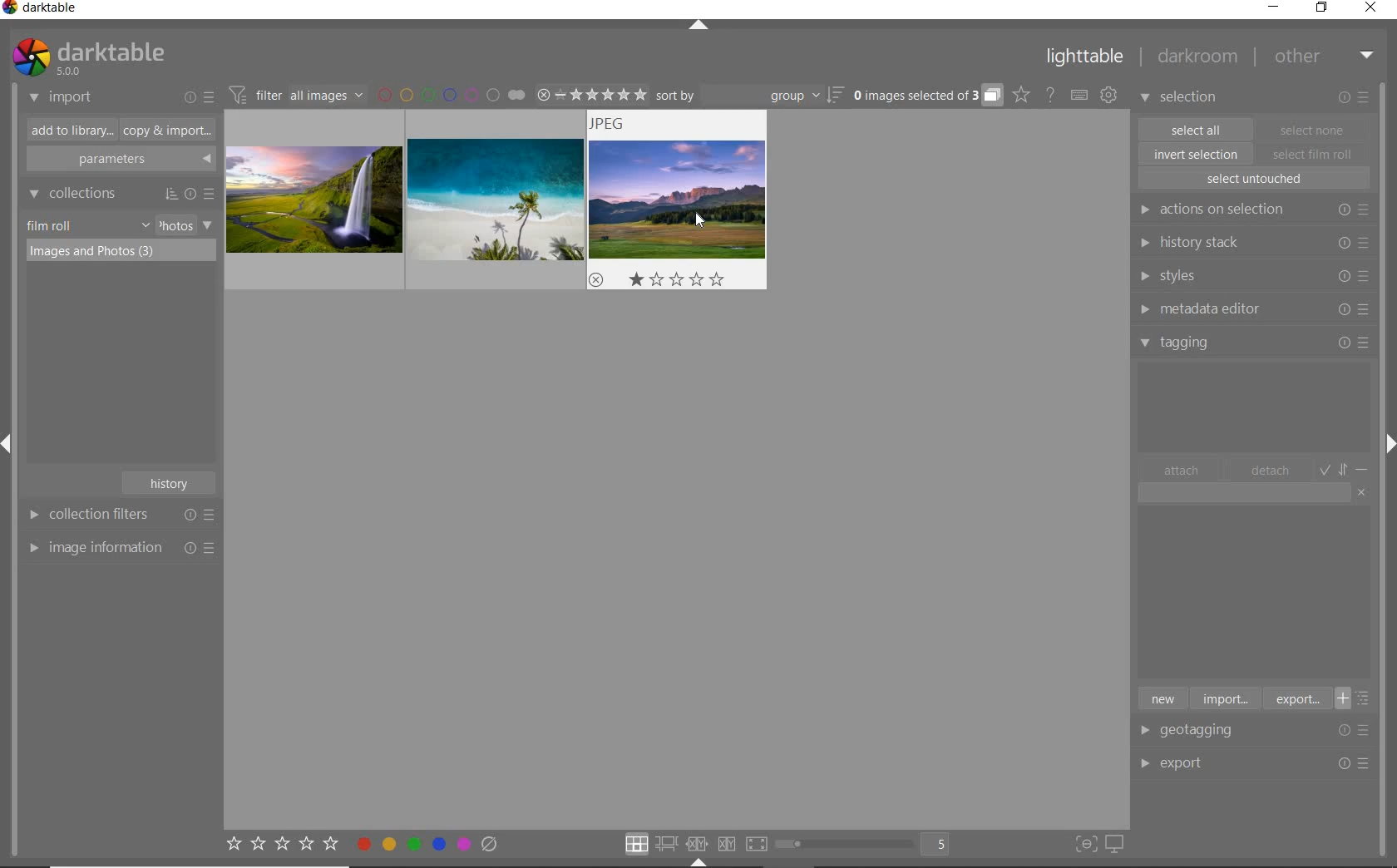 This screenshot has width=1397, height=868. What do you see at coordinates (1050, 94) in the screenshot?
I see `help online` at bounding box center [1050, 94].